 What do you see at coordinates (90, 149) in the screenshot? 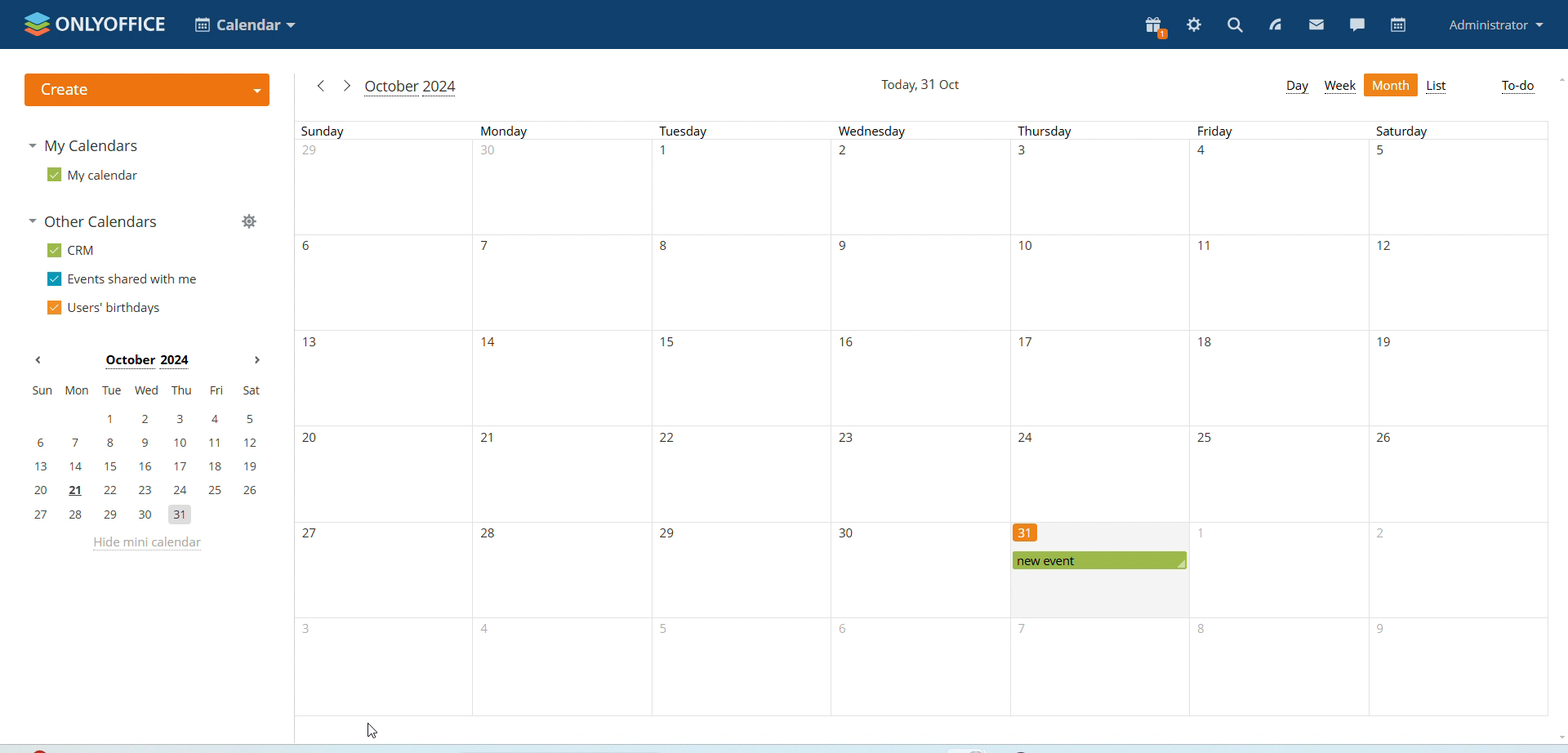
I see `my calendars` at bounding box center [90, 149].